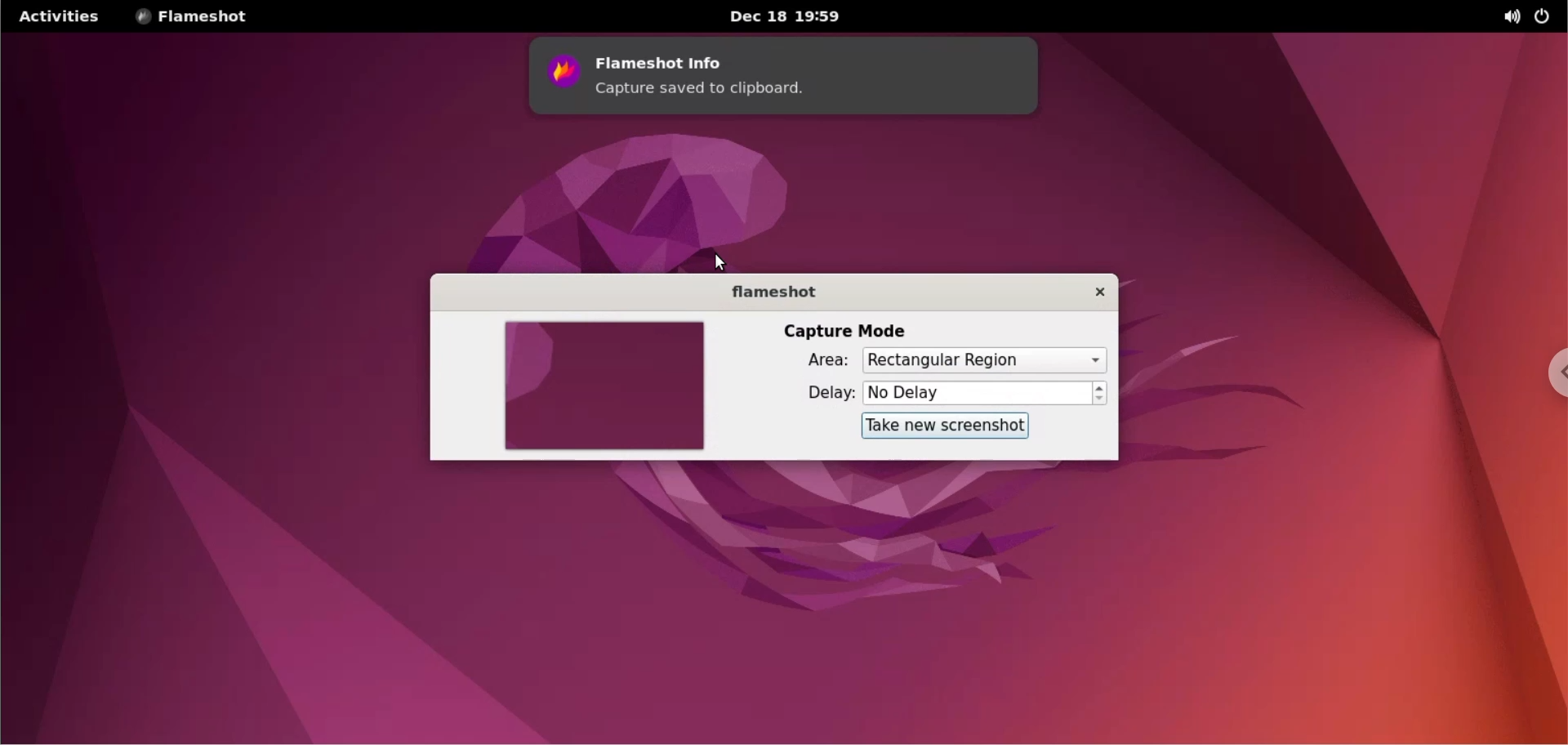 The image size is (1568, 745). Describe the element at coordinates (986, 360) in the screenshot. I see `capture area options` at that location.